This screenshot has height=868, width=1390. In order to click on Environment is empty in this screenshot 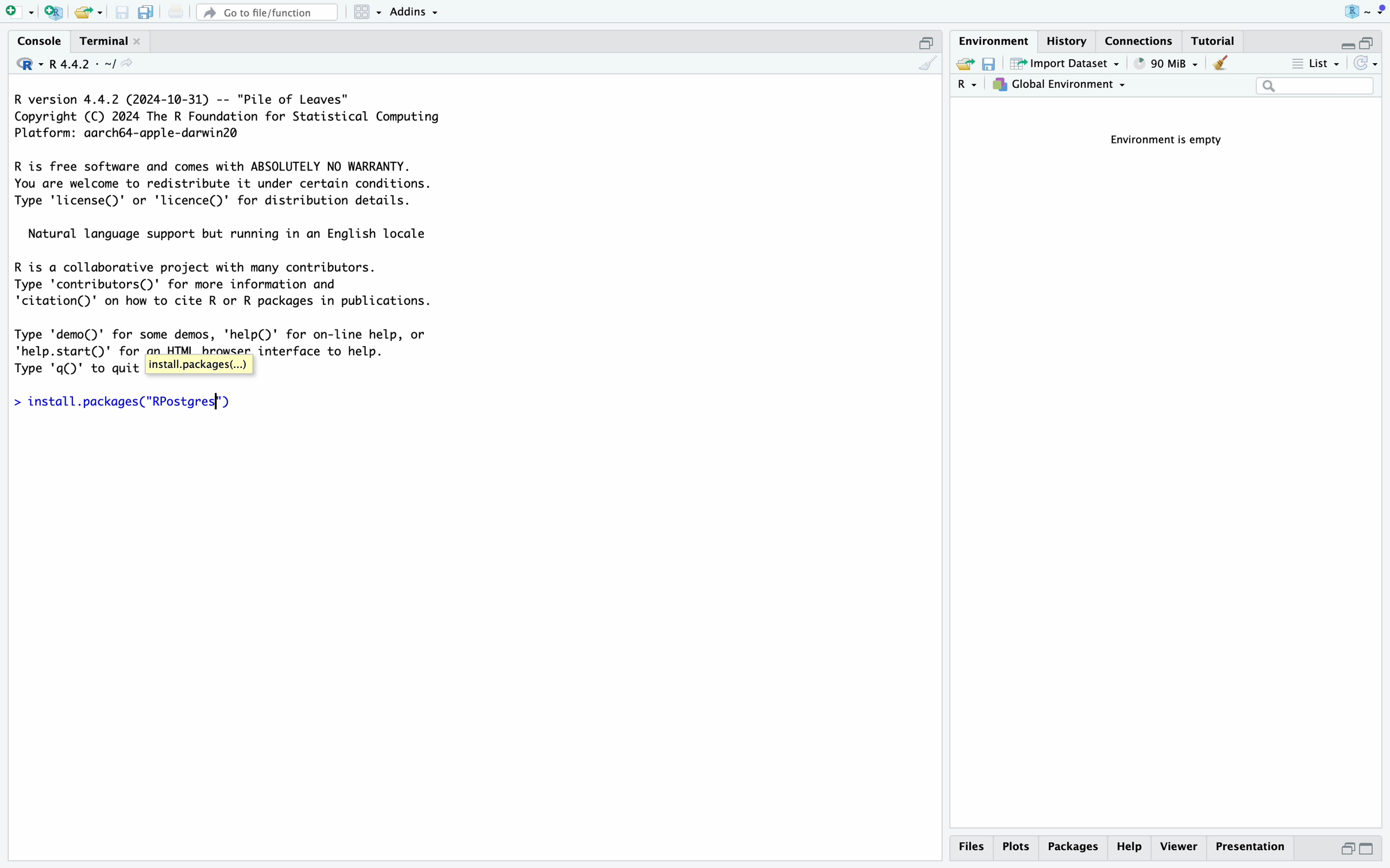, I will do `click(1173, 141)`.